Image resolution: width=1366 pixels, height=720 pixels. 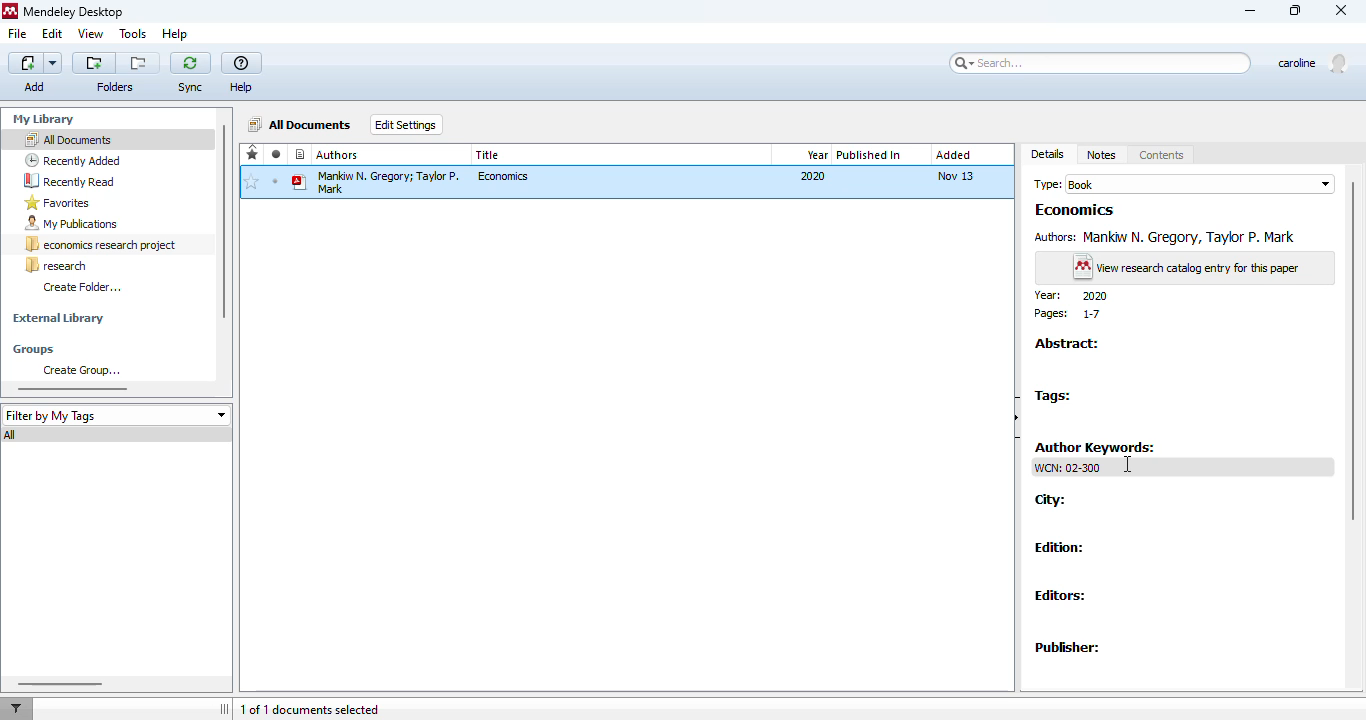 I want to click on pages: 1-7, so click(x=1065, y=314).